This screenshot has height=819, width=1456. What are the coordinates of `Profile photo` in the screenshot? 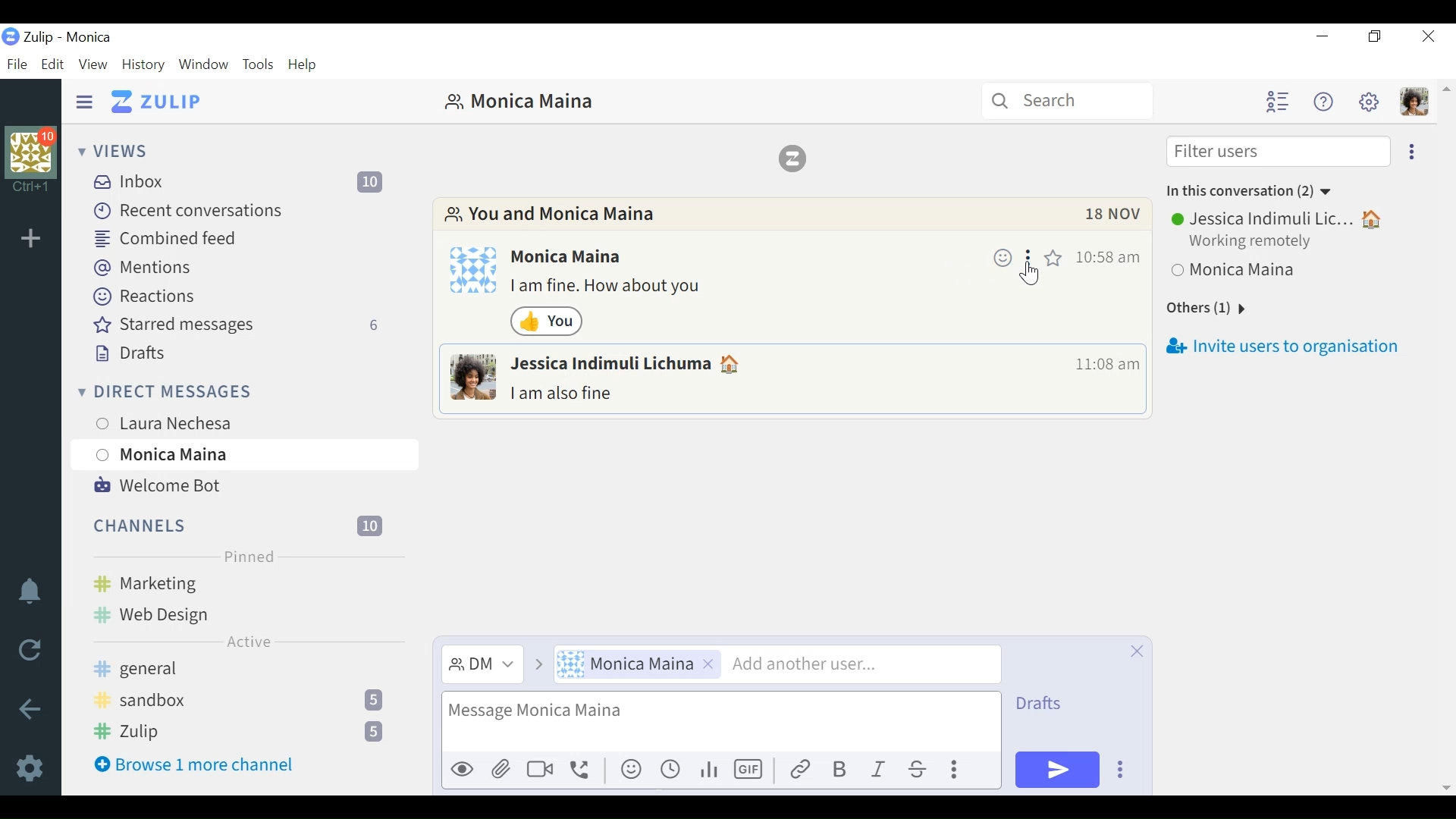 It's located at (472, 378).